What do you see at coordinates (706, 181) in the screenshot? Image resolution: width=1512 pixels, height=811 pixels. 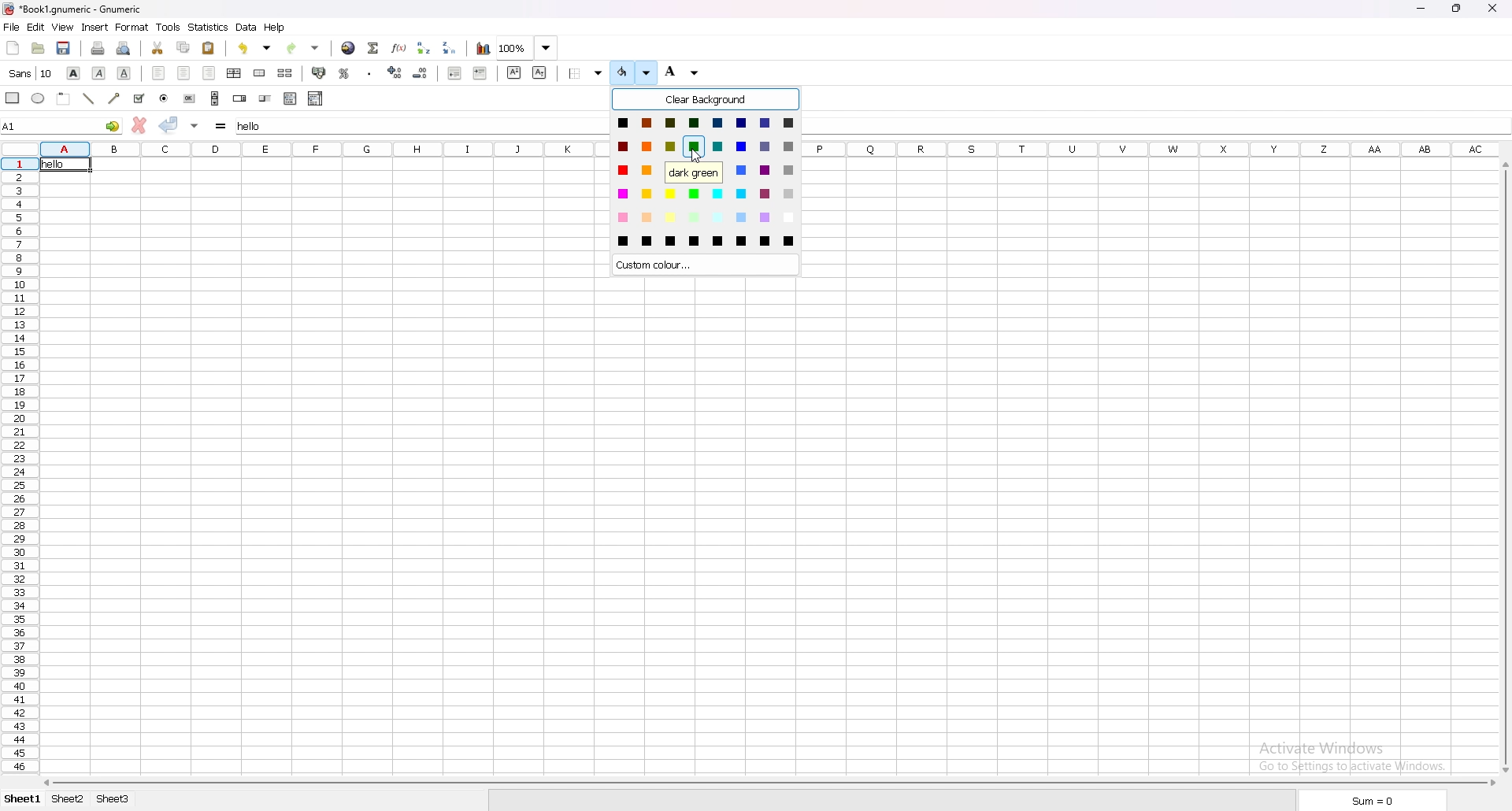 I see `color options` at bounding box center [706, 181].